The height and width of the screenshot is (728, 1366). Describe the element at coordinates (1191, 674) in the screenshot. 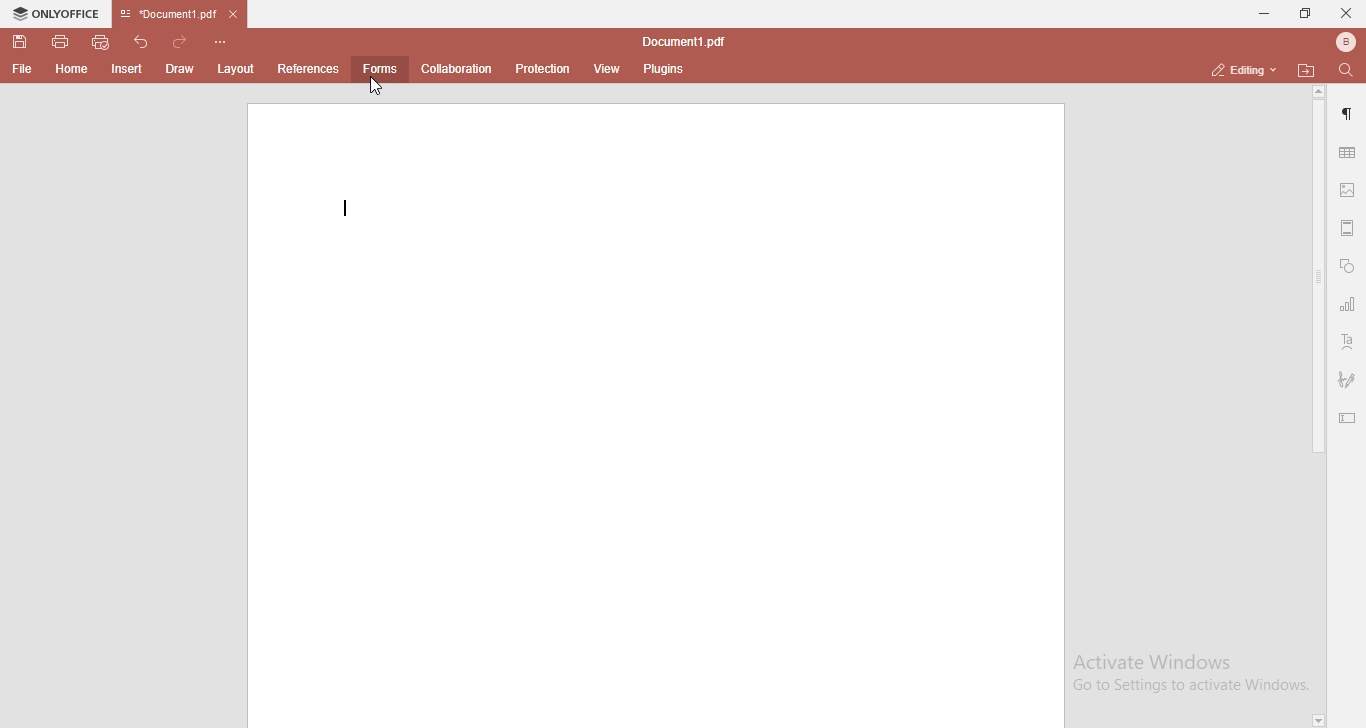

I see `Activate Windows
Go to Settings to activate Windows.` at that location.